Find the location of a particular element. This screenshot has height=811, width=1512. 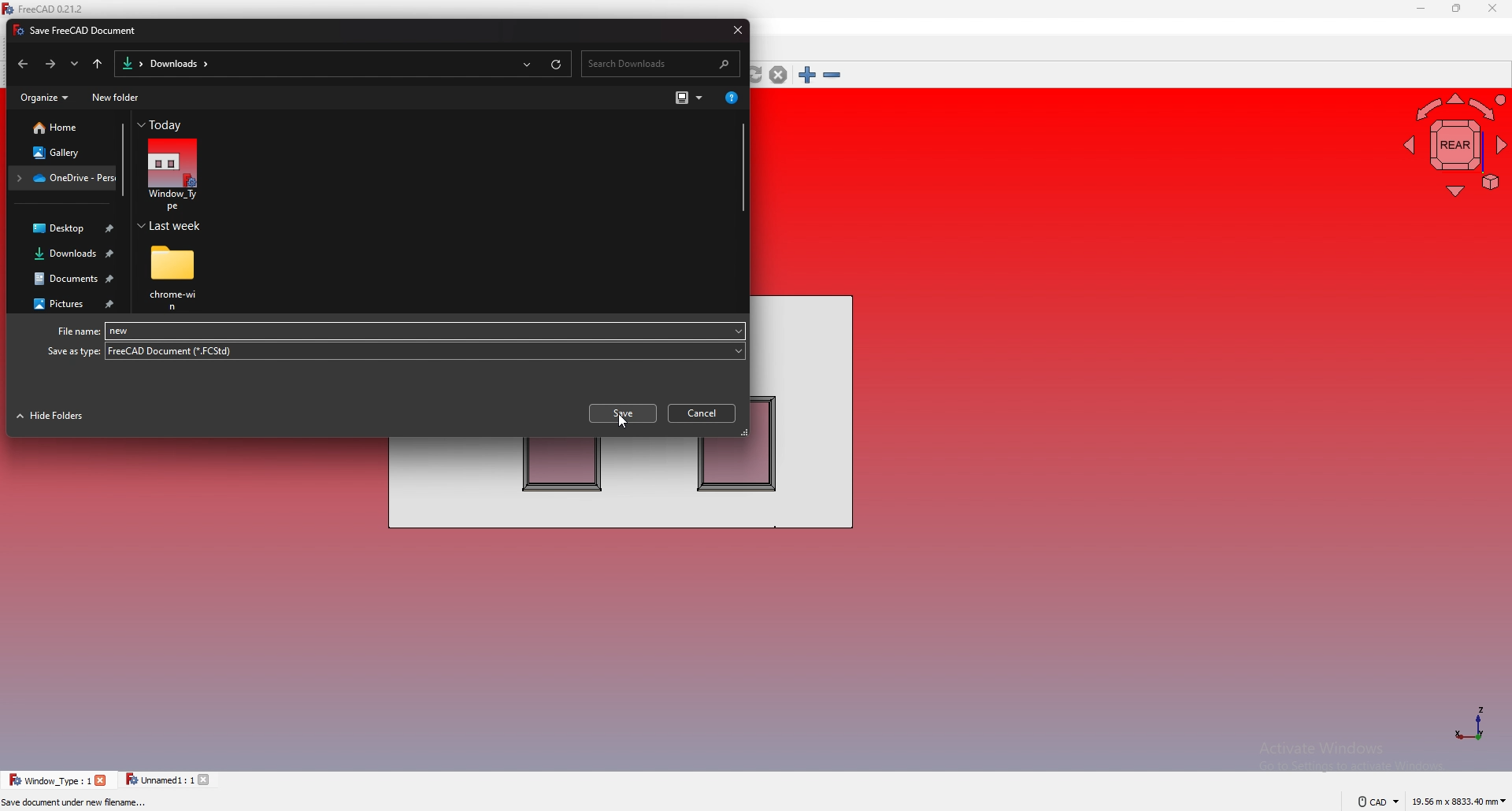

organize is located at coordinates (43, 98).